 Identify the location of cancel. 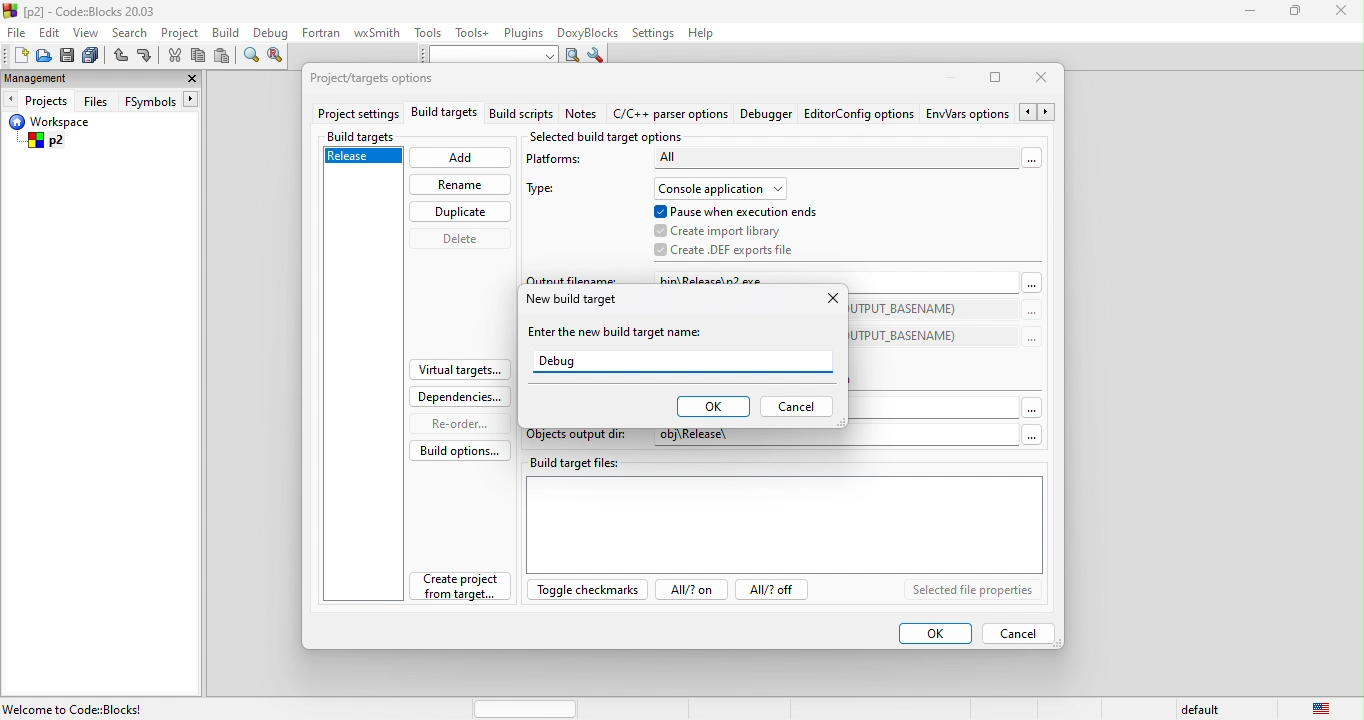
(798, 407).